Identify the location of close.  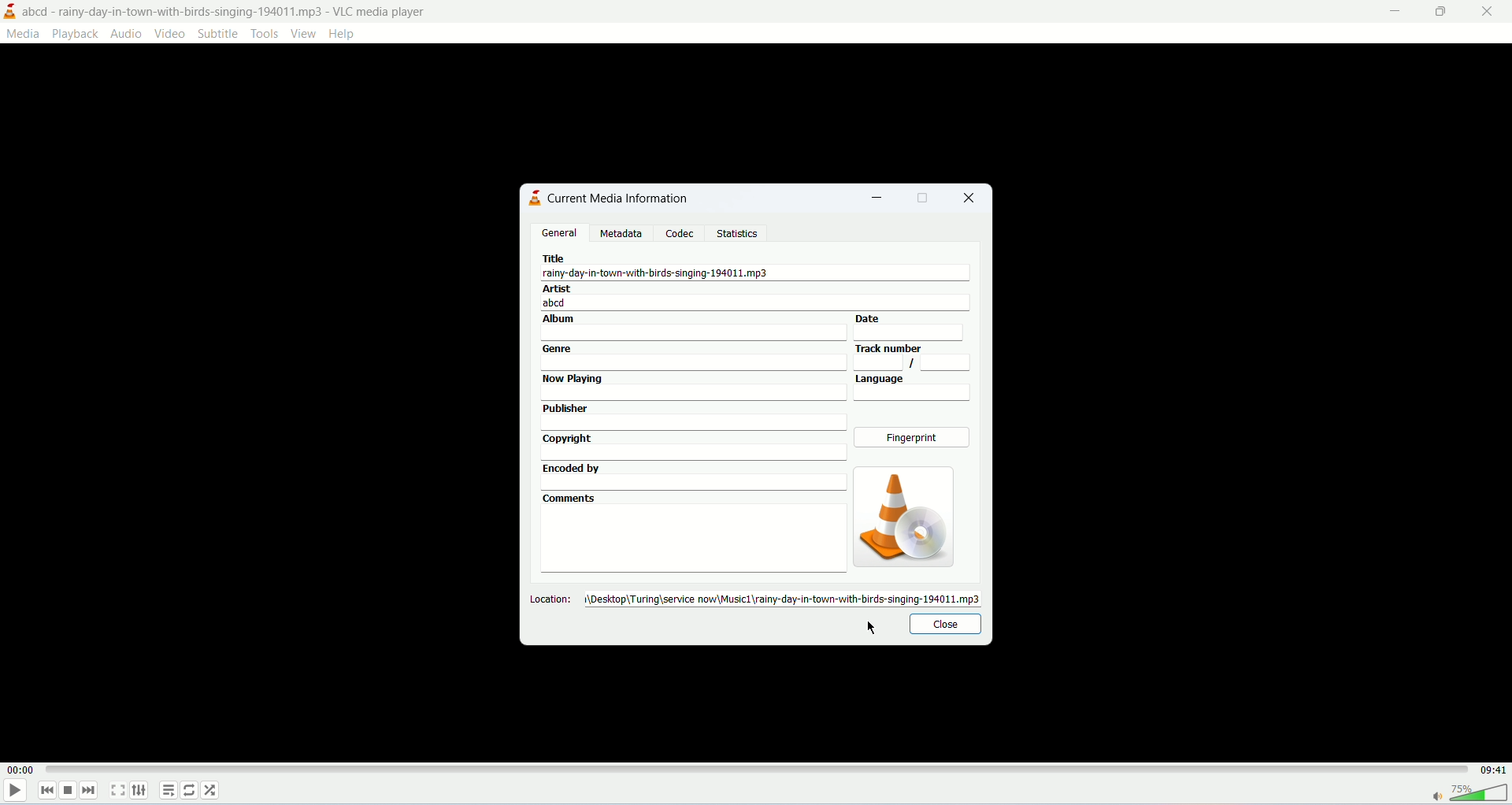
(974, 198).